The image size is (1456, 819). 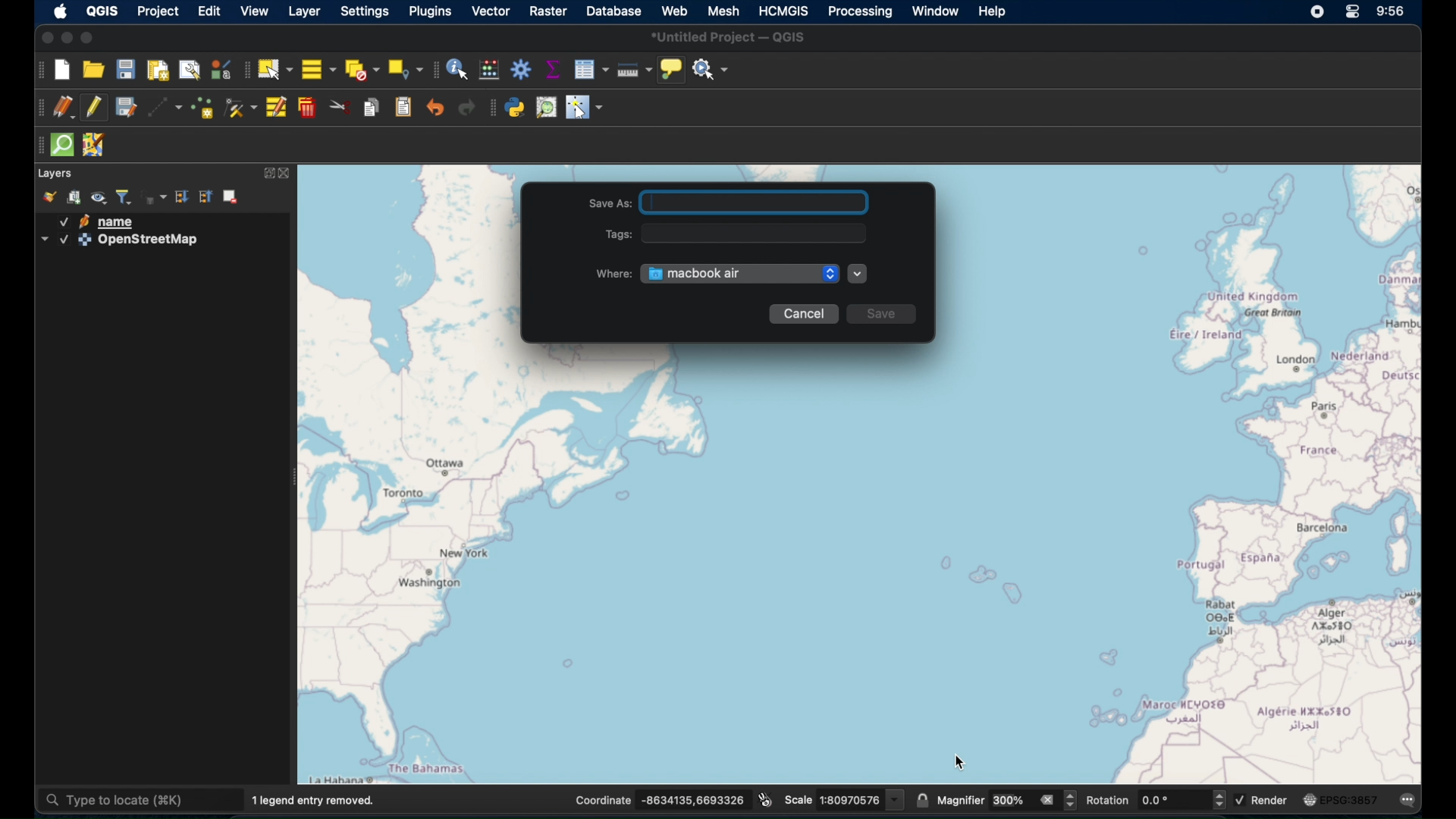 What do you see at coordinates (206, 196) in the screenshot?
I see `collapse all` at bounding box center [206, 196].